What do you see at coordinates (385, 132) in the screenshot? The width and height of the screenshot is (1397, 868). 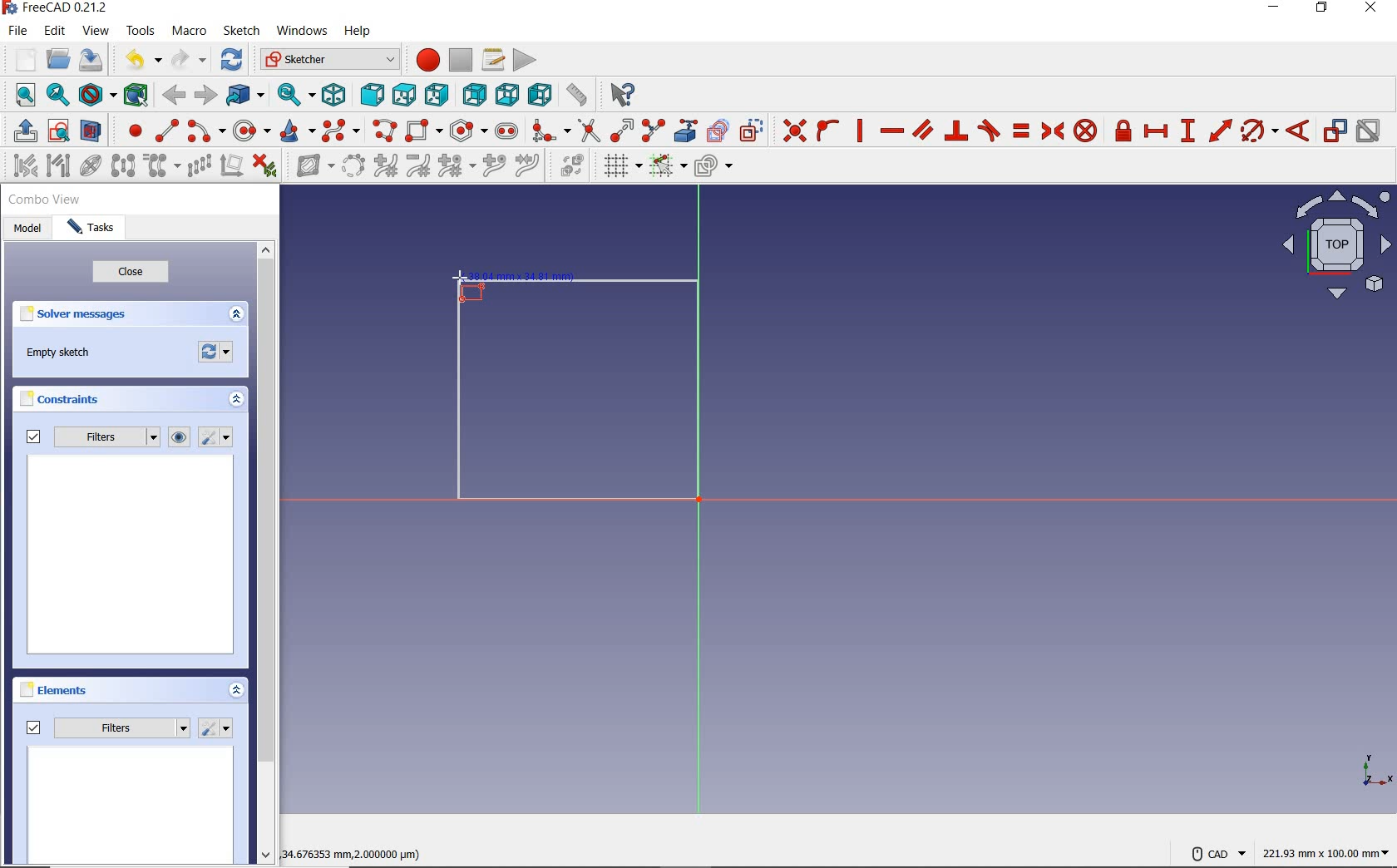 I see `create polyline` at bounding box center [385, 132].